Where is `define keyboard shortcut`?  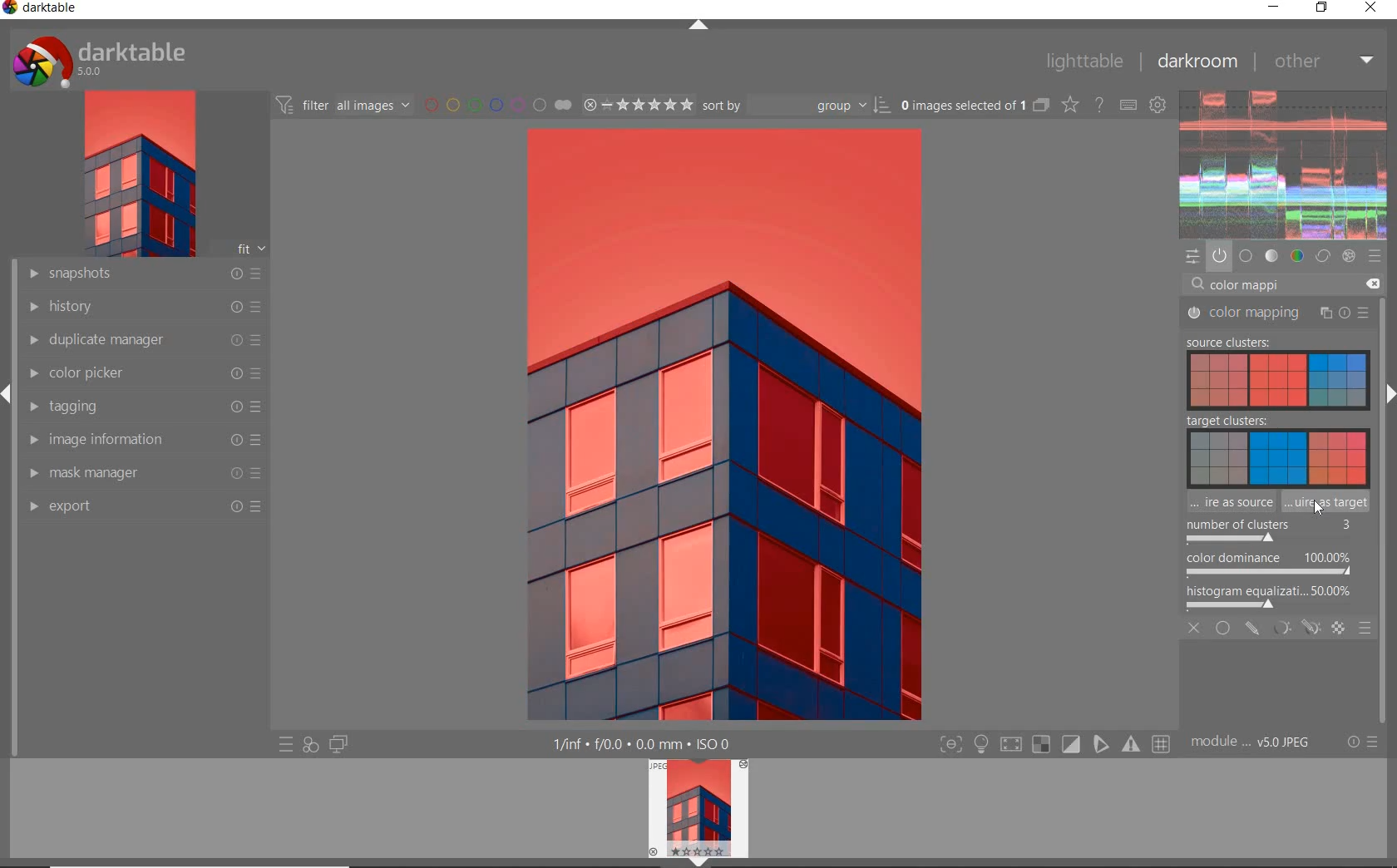 define keyboard shortcut is located at coordinates (1128, 105).